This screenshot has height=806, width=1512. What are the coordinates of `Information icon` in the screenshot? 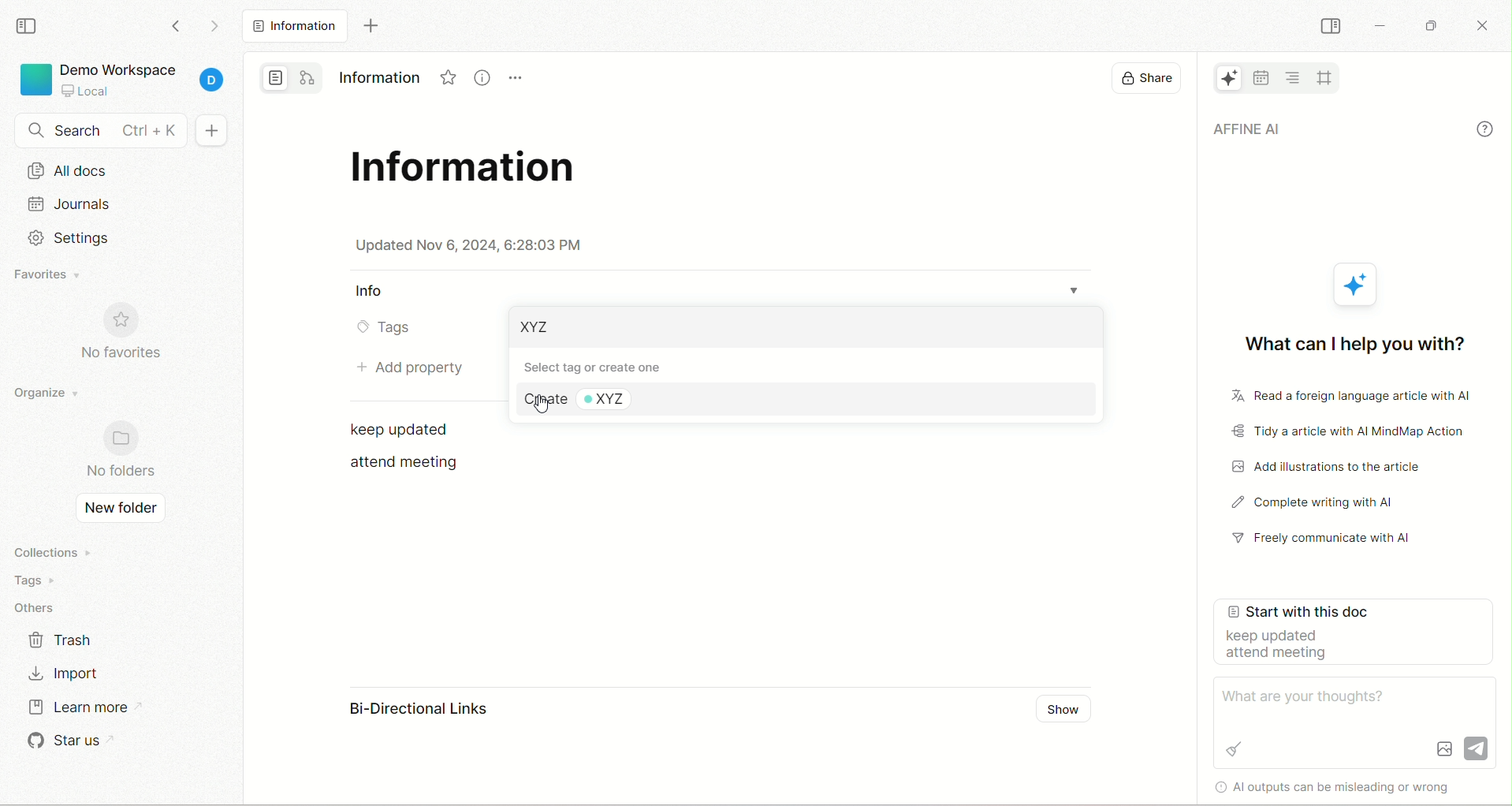 It's located at (479, 79).